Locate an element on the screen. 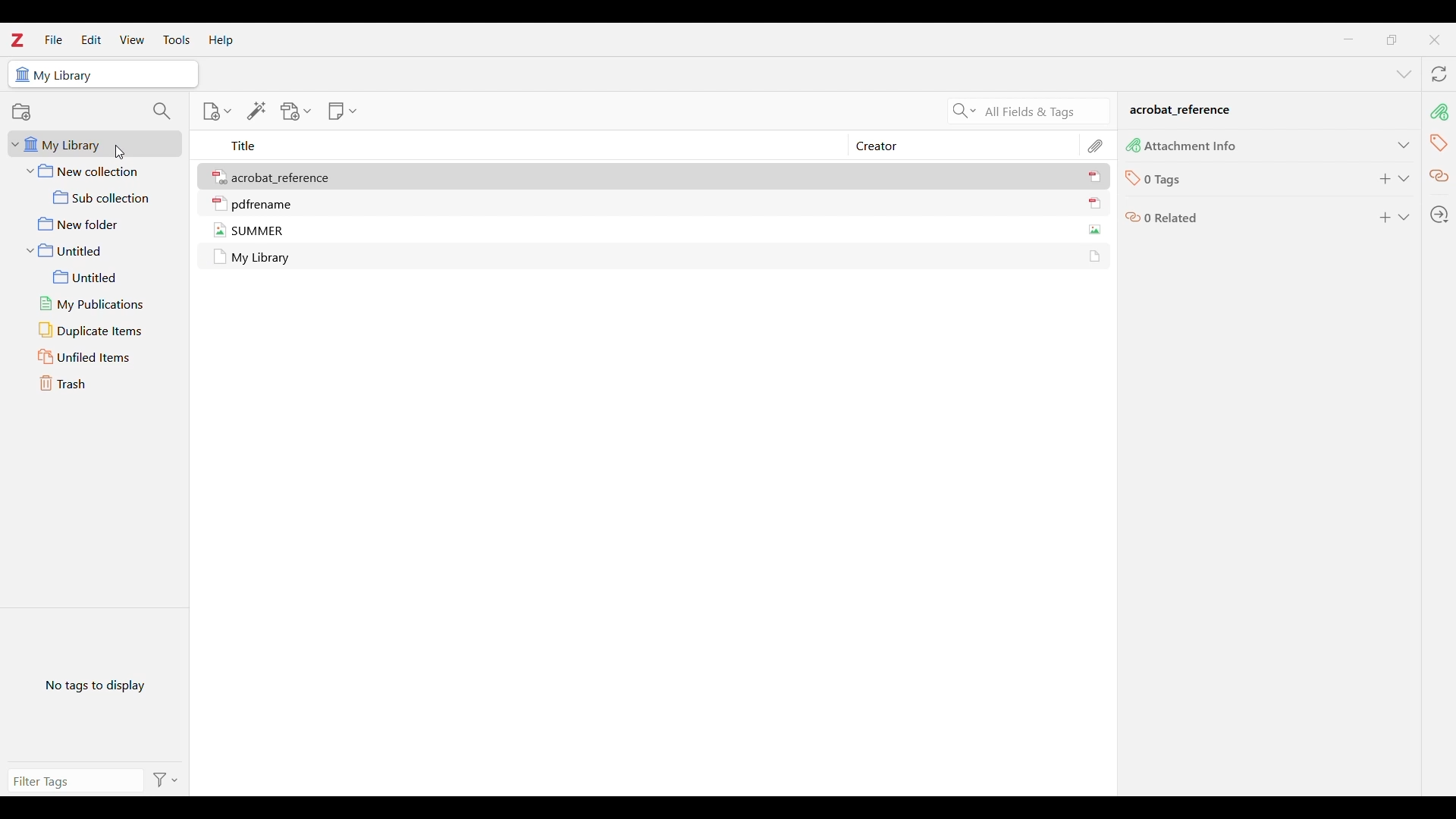  Add to Related is located at coordinates (1386, 218).